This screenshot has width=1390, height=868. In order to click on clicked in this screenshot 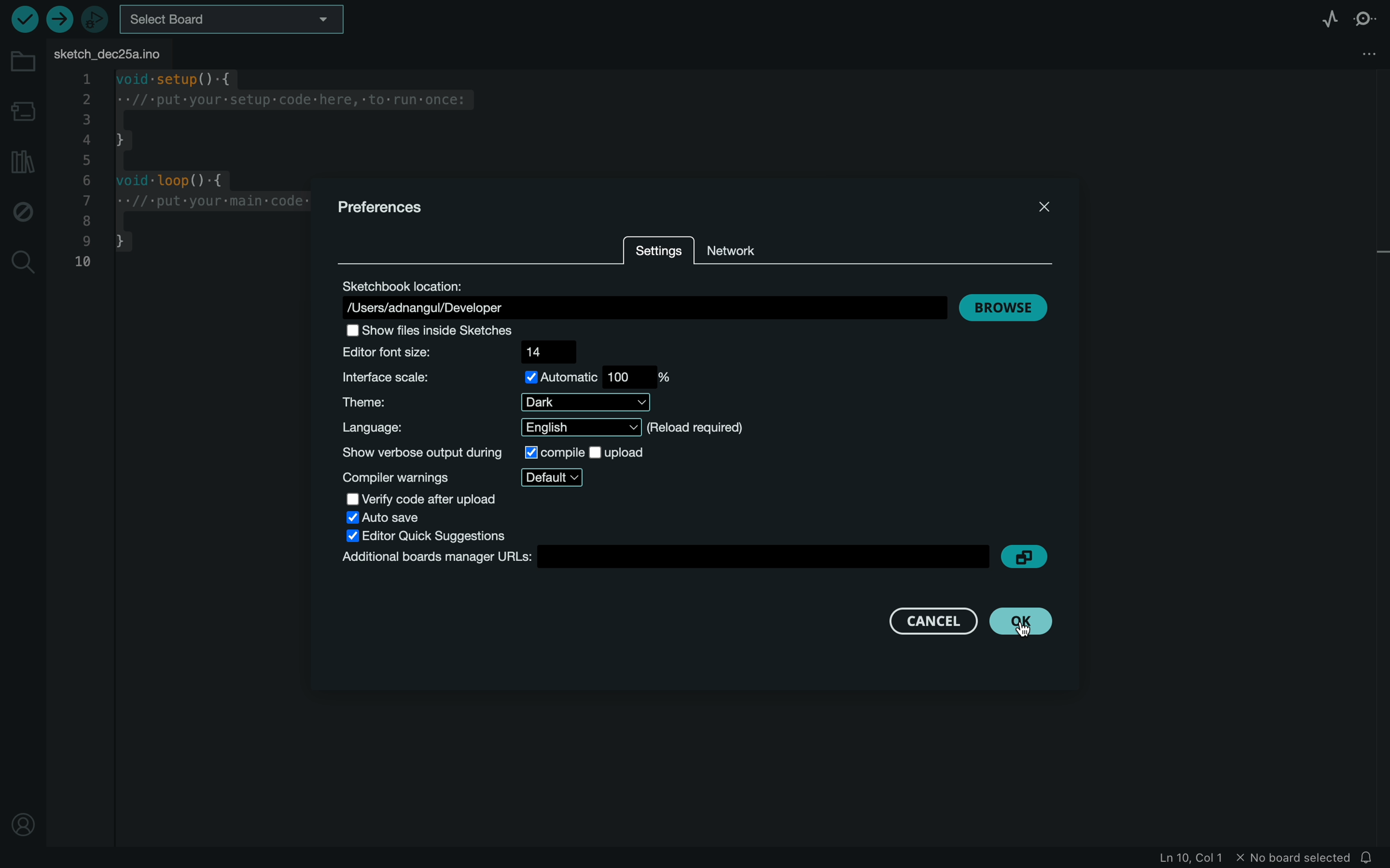, I will do `click(1021, 621)`.